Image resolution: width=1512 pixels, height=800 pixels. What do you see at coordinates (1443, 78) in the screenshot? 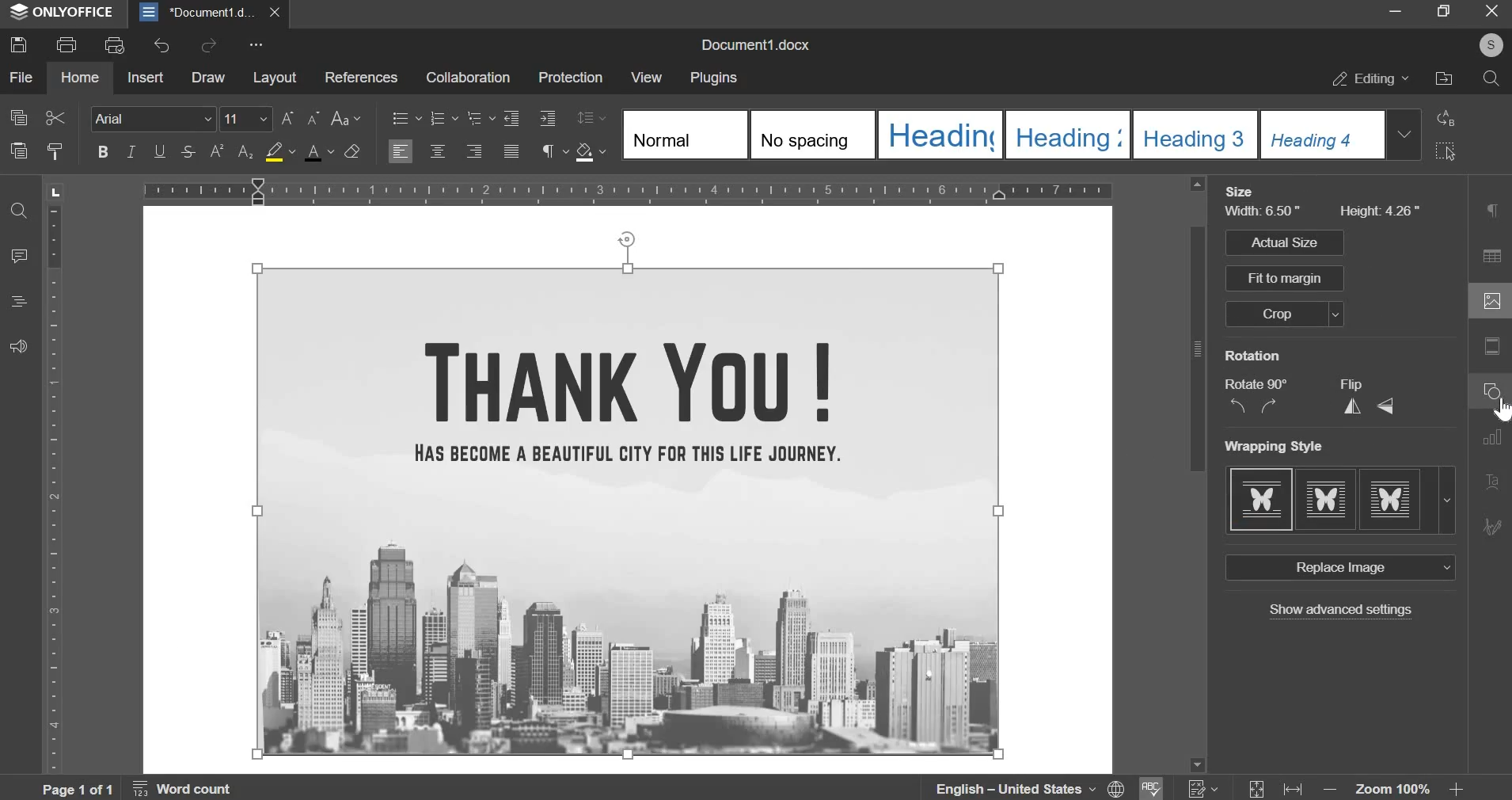
I see `file location` at bounding box center [1443, 78].